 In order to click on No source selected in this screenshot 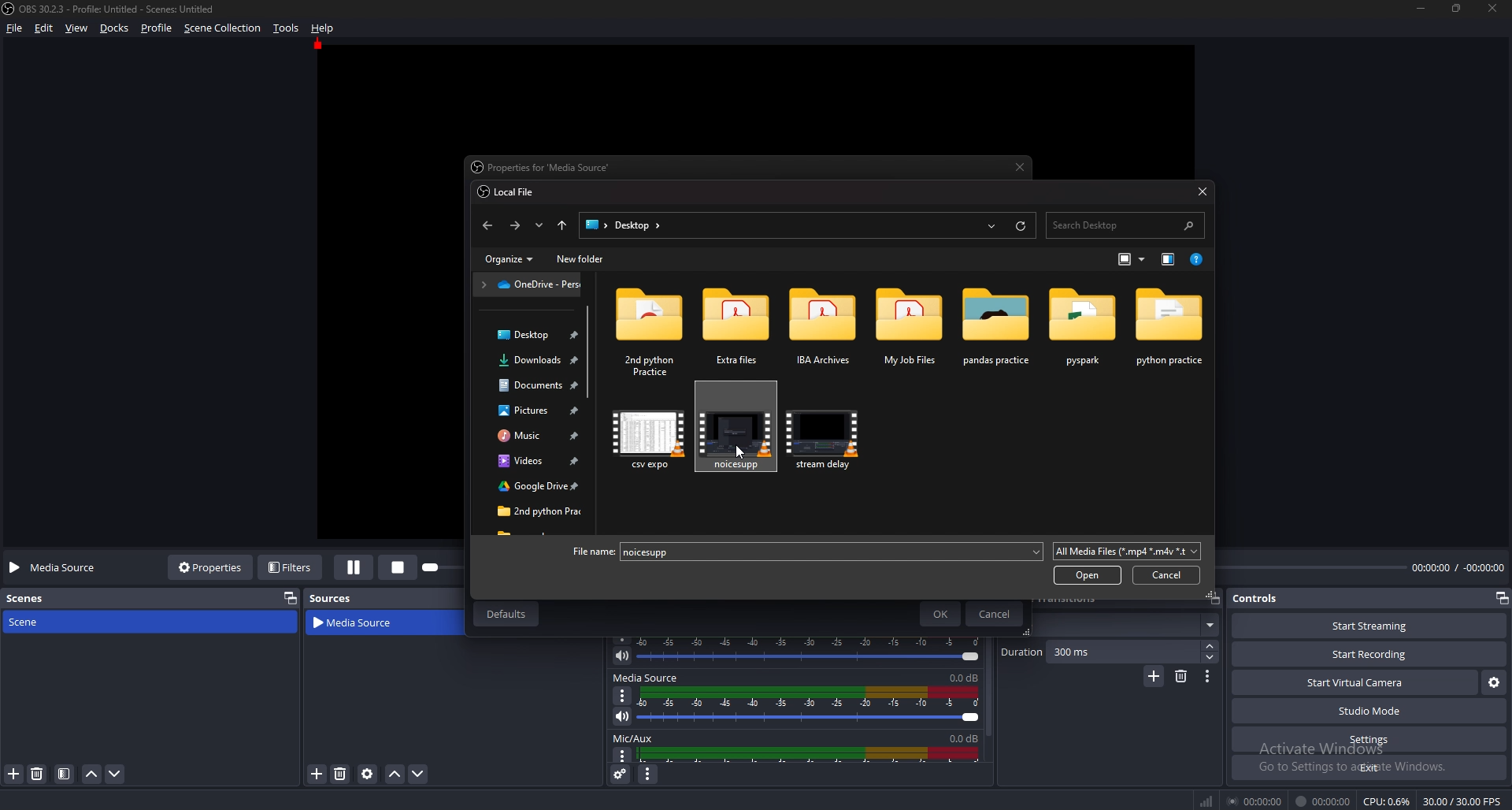, I will do `click(57, 567)`.